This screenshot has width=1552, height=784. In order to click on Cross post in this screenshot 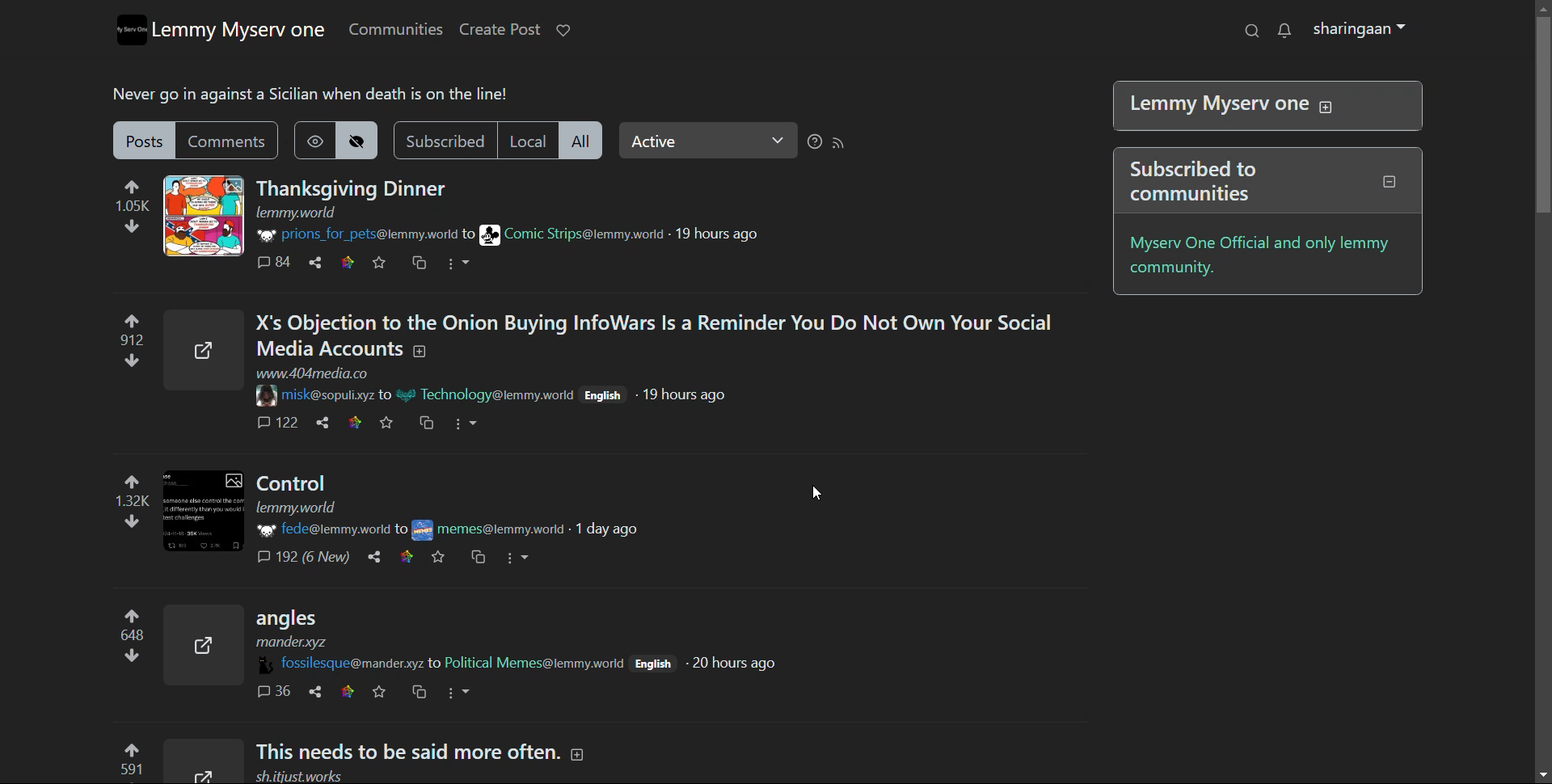, I will do `click(478, 557)`.